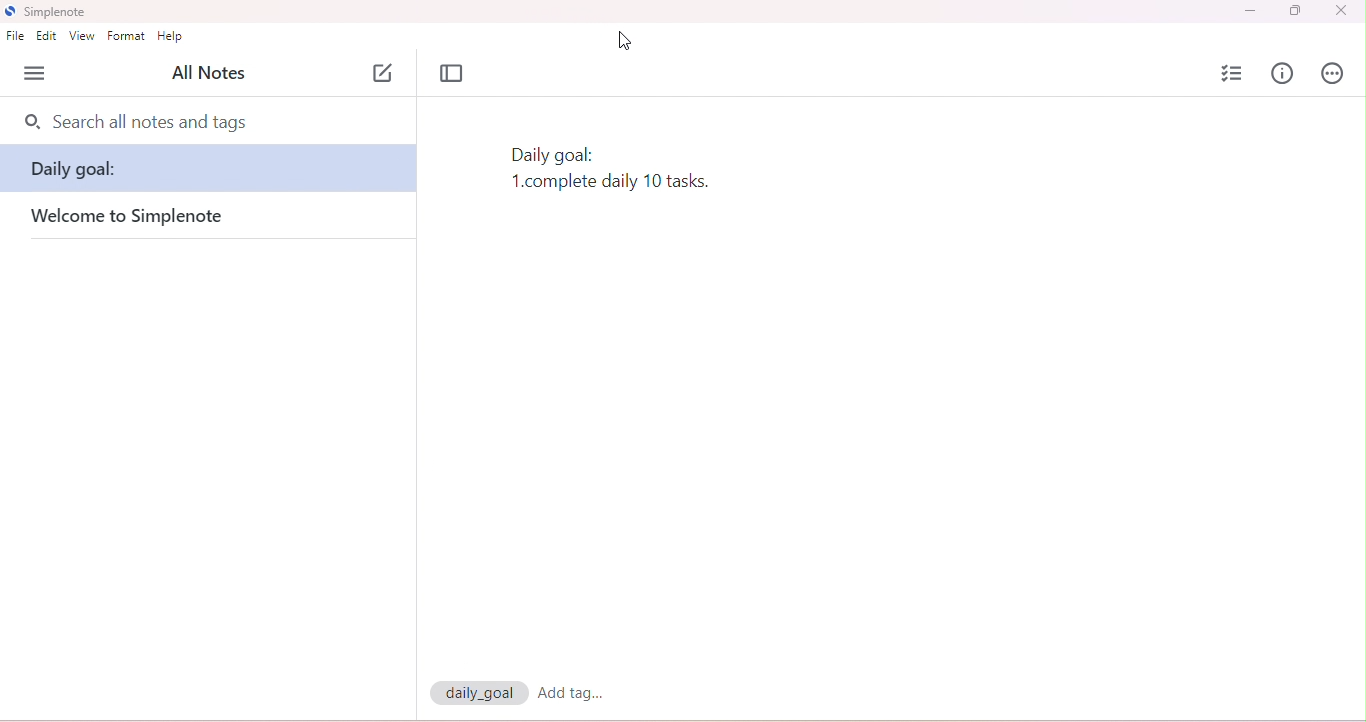  I want to click on file, so click(17, 36).